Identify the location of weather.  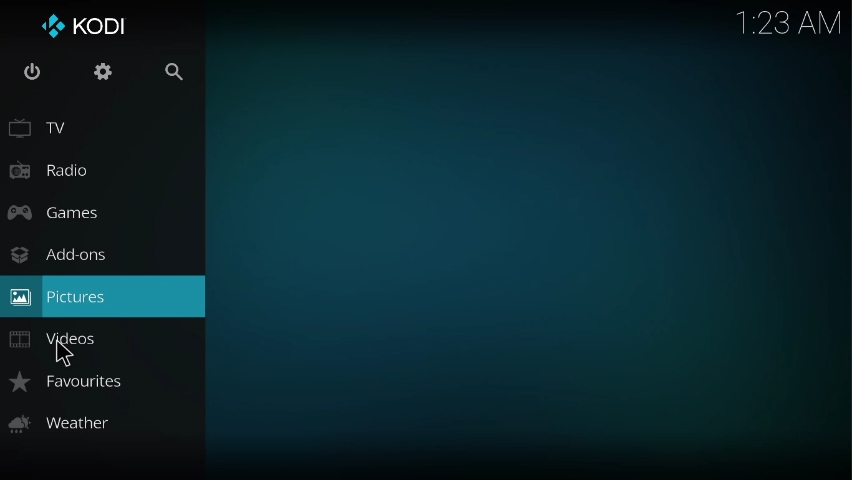
(59, 422).